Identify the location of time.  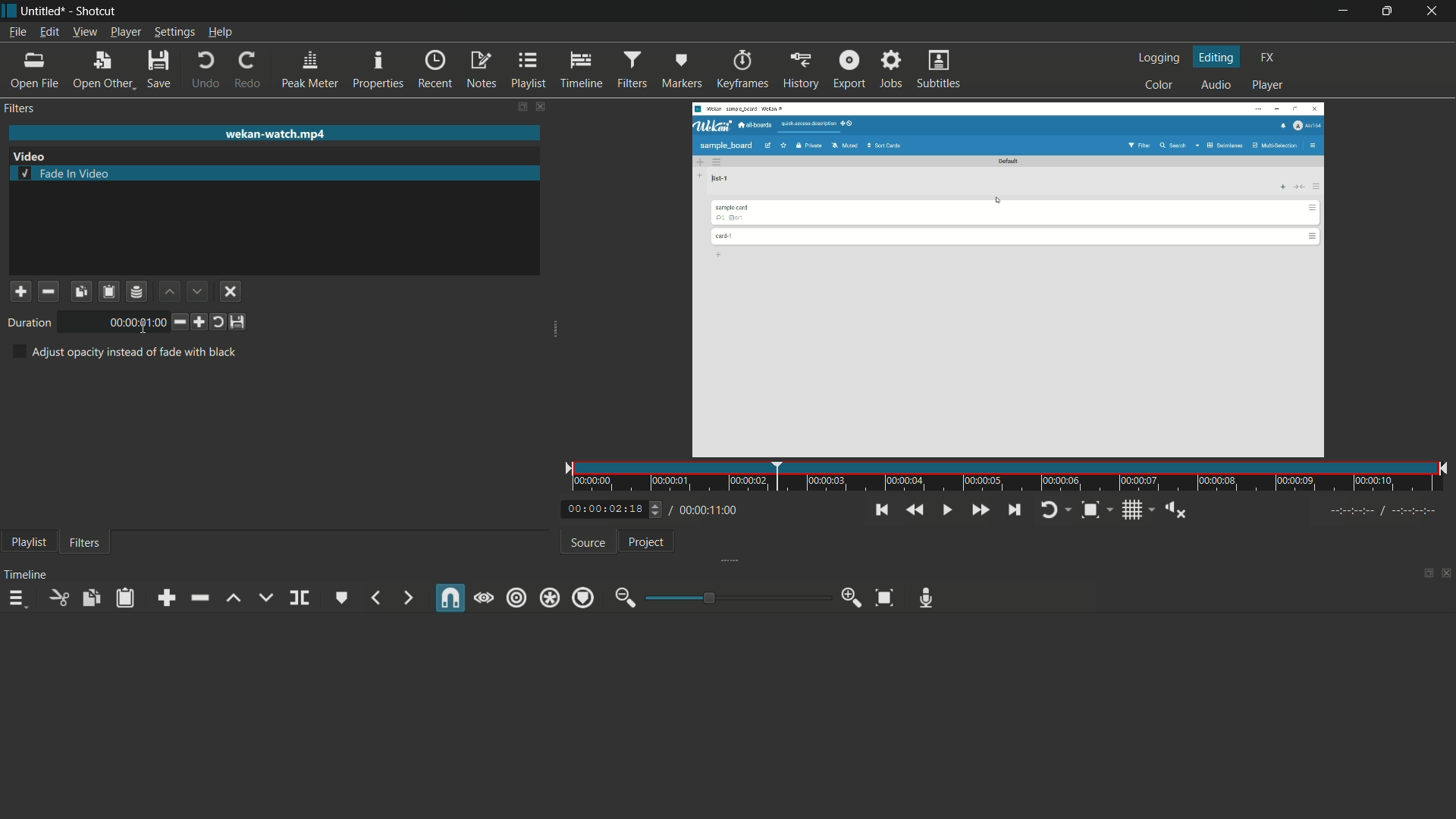
(1010, 477).